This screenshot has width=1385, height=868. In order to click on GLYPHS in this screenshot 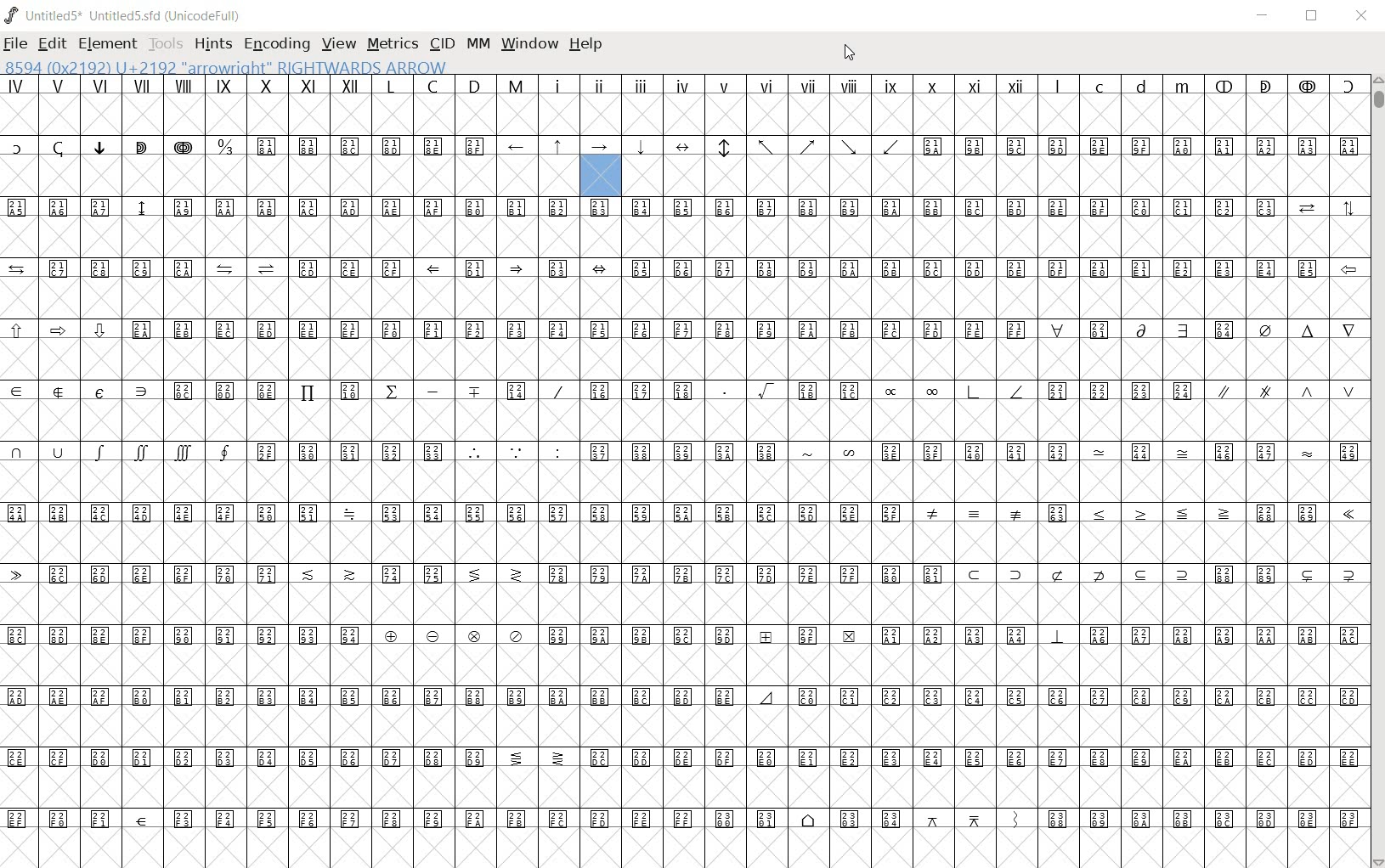, I will do `click(269, 428)`.